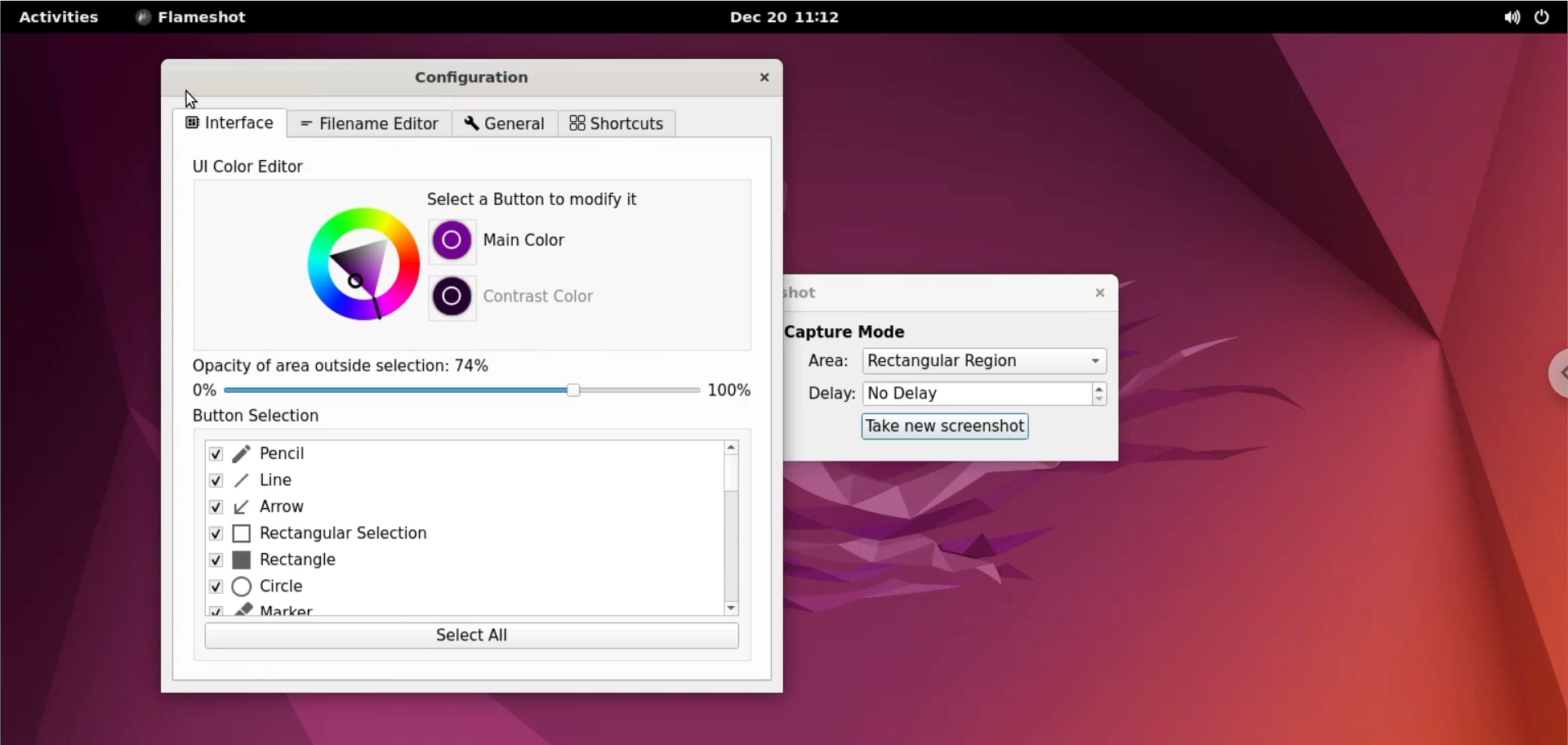 The height and width of the screenshot is (745, 1568). Describe the element at coordinates (977, 394) in the screenshot. I see `No Delay` at that location.